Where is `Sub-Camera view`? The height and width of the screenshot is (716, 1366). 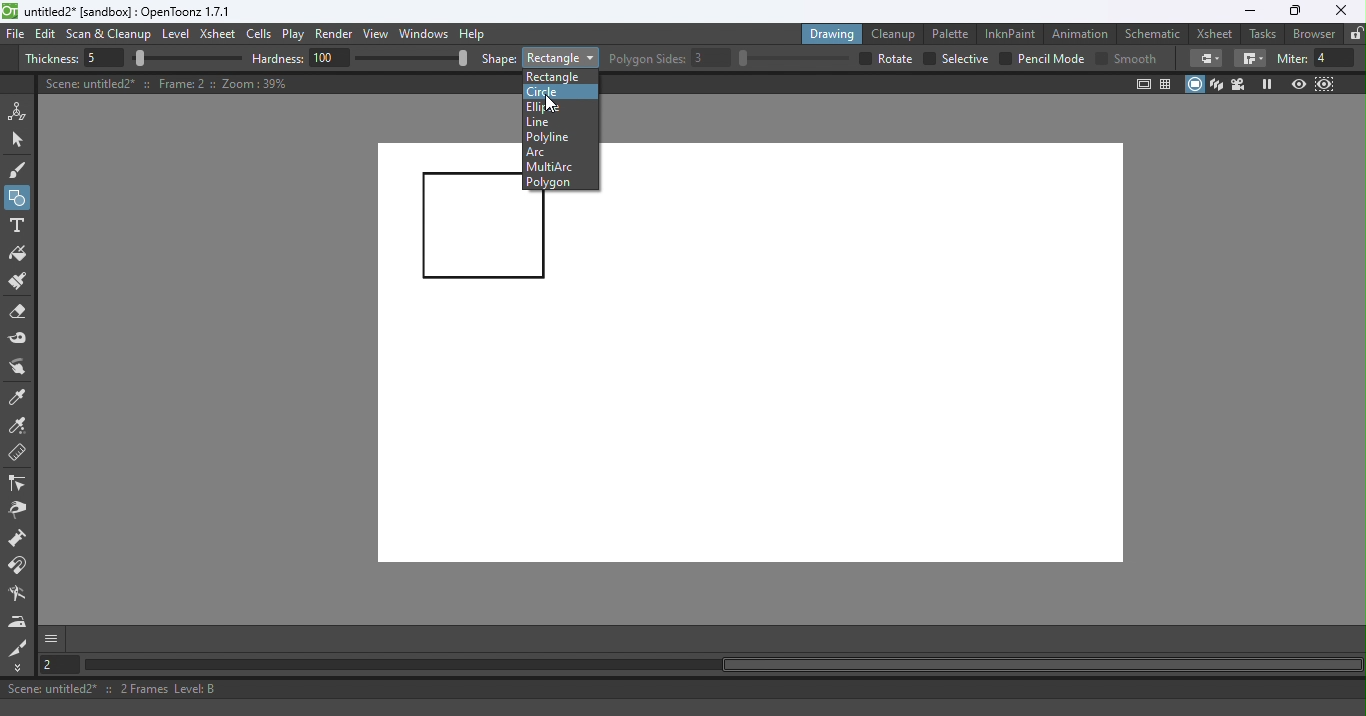
Sub-Camera view is located at coordinates (1326, 84).